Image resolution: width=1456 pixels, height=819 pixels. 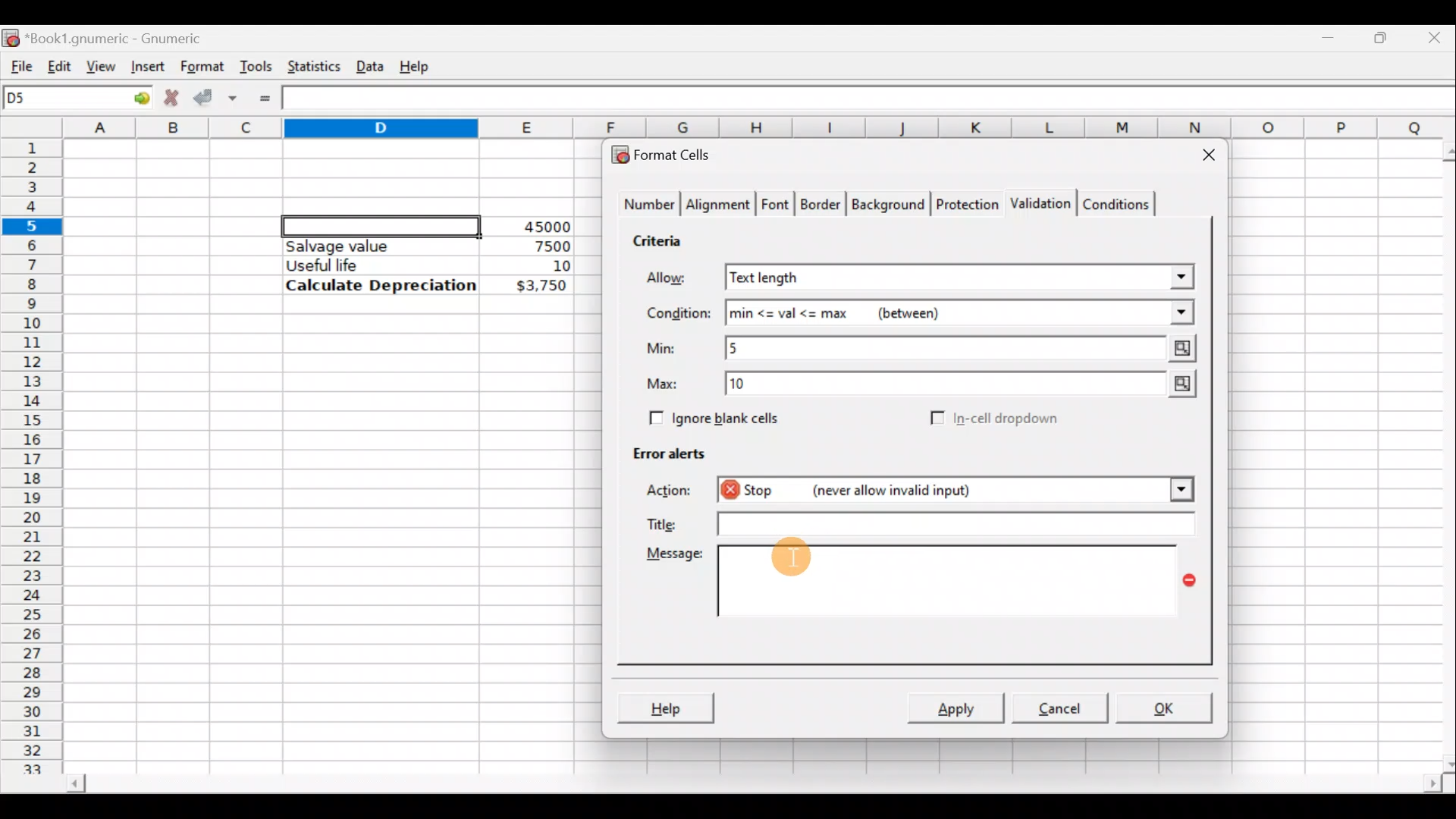 I want to click on Cancel, so click(x=1057, y=707).